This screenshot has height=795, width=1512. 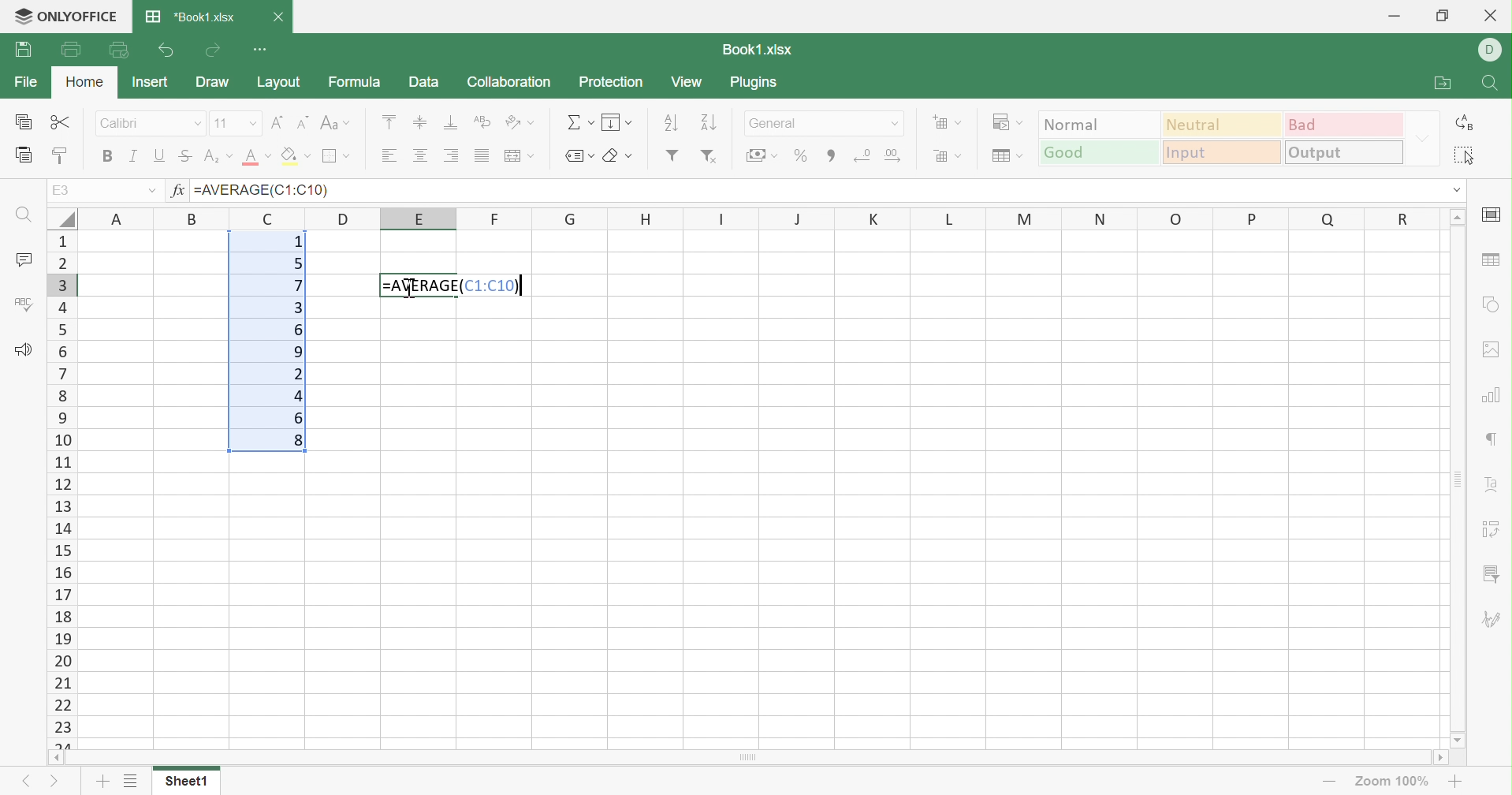 I want to click on Fill color, so click(x=296, y=155).